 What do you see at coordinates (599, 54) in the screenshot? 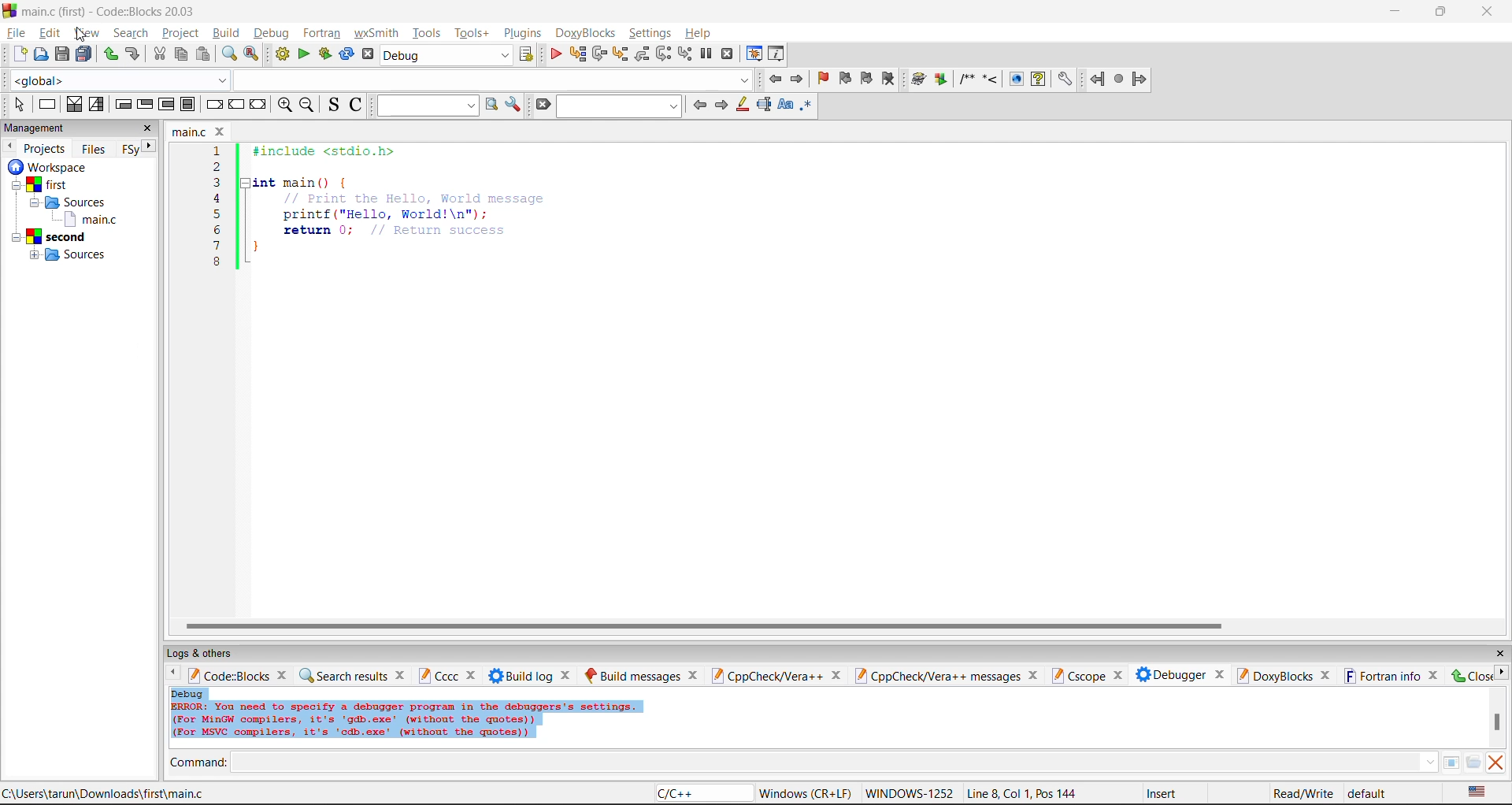
I see `next line` at bounding box center [599, 54].